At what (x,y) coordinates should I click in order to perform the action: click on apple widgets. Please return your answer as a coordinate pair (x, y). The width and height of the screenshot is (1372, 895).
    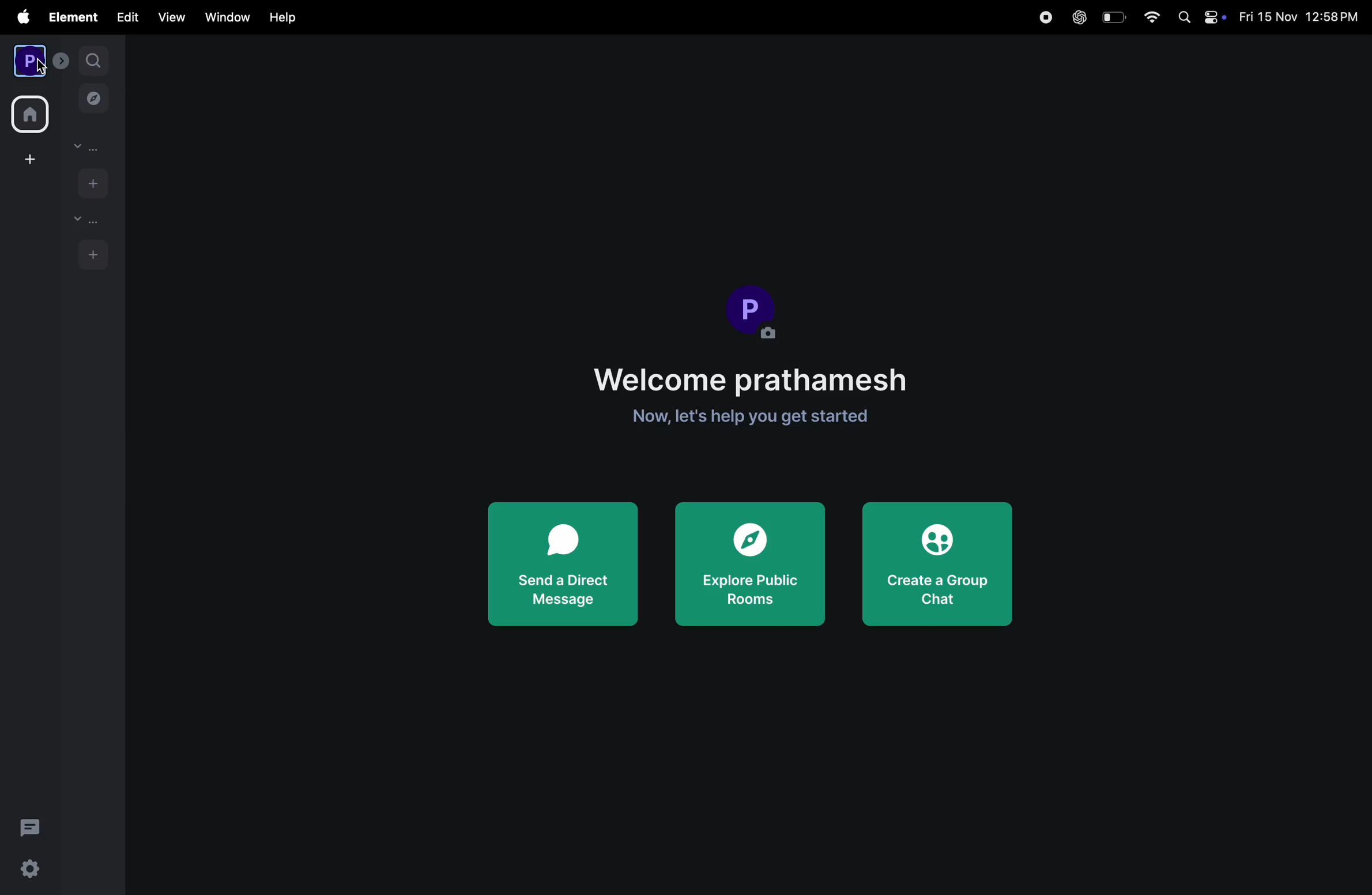
    Looking at the image, I should click on (1201, 16).